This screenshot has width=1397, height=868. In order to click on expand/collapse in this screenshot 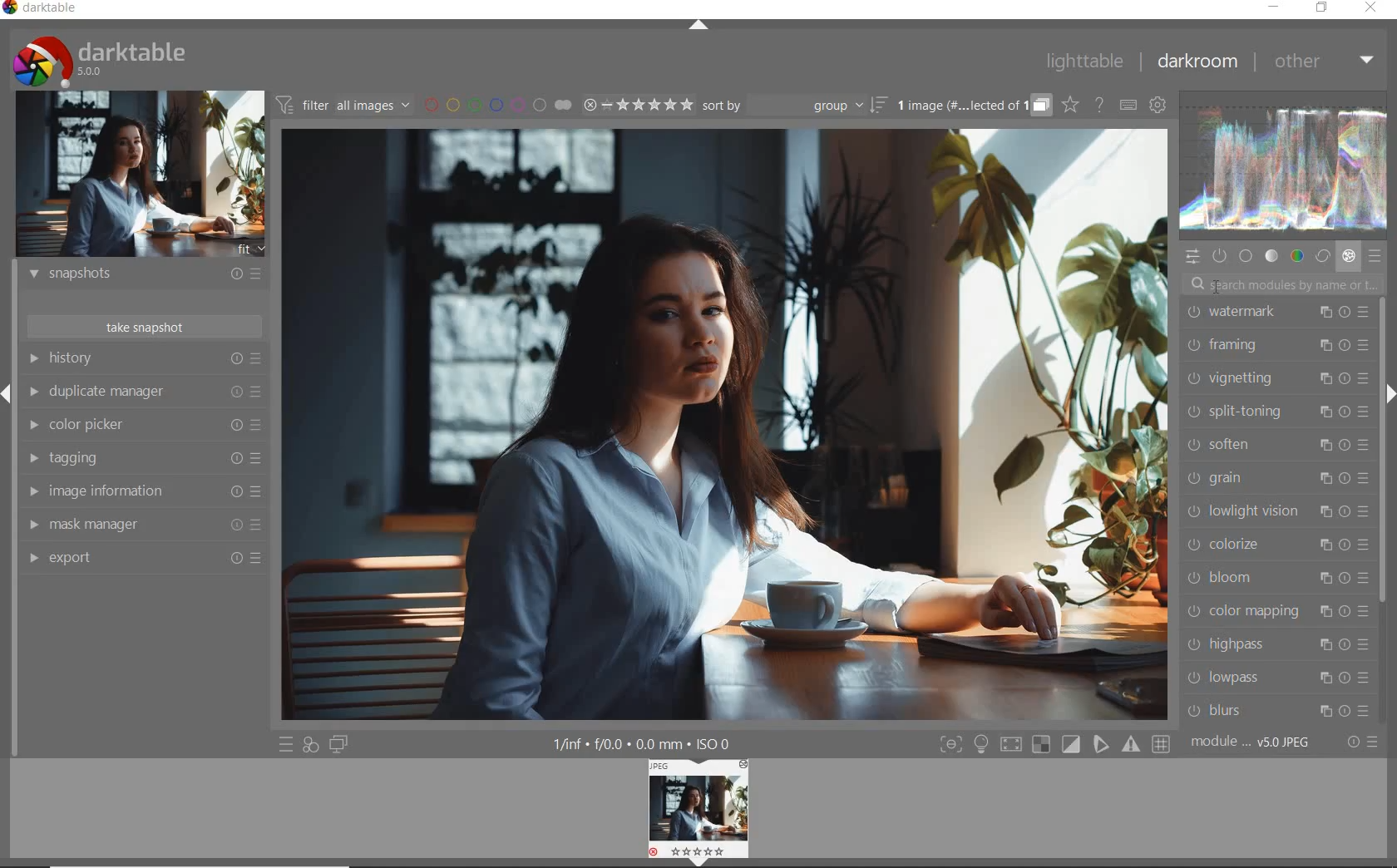, I will do `click(700, 21)`.